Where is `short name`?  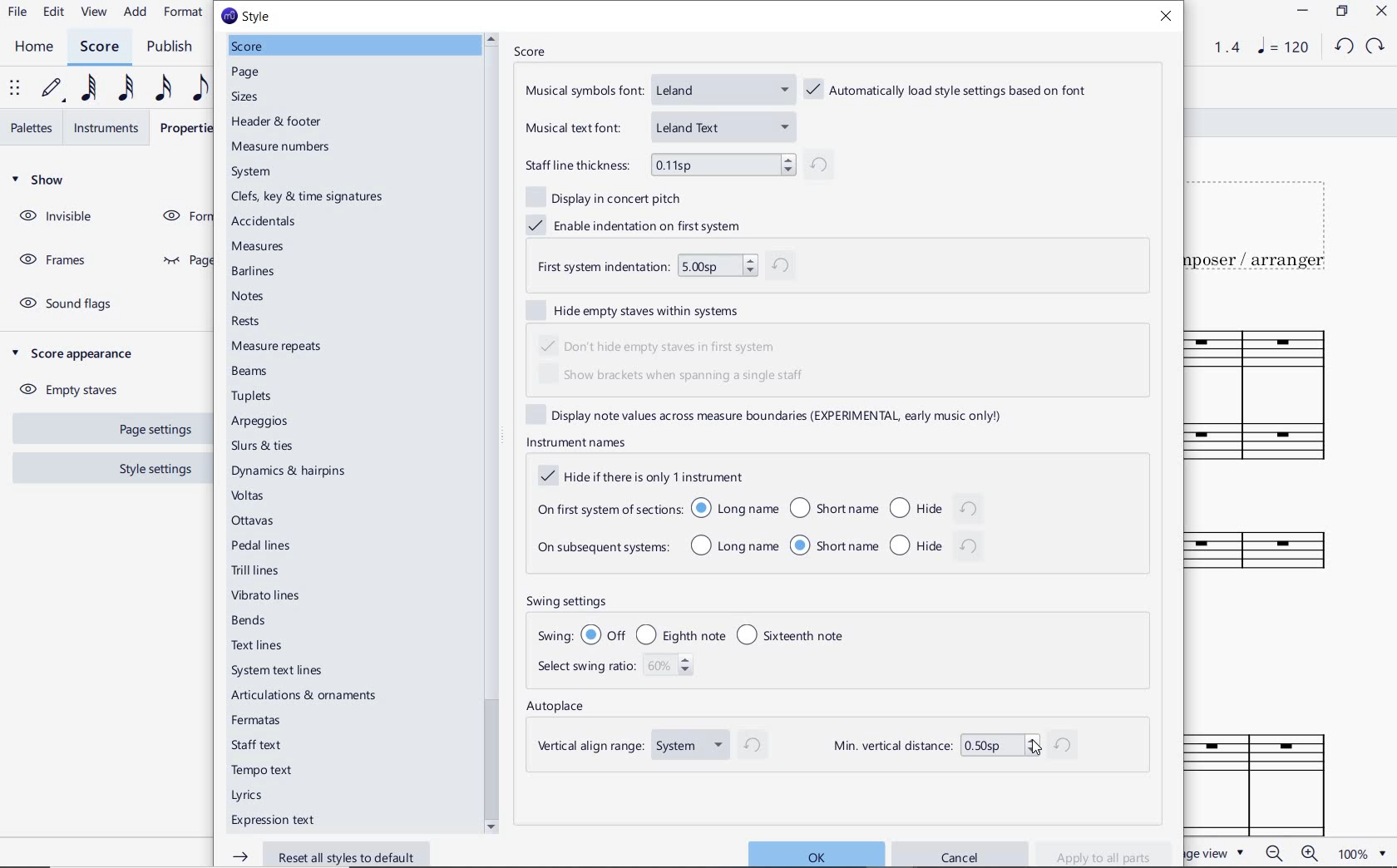
short name is located at coordinates (834, 545).